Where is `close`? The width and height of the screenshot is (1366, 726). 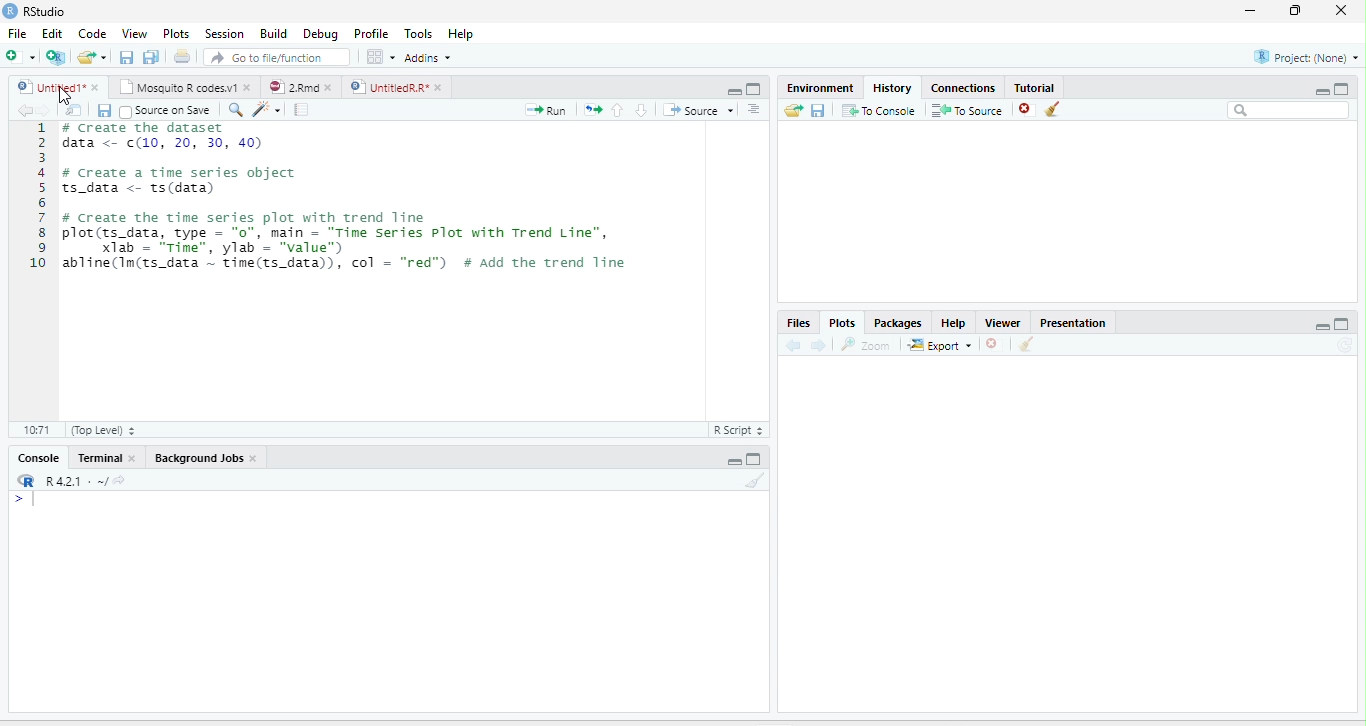
close is located at coordinates (254, 458).